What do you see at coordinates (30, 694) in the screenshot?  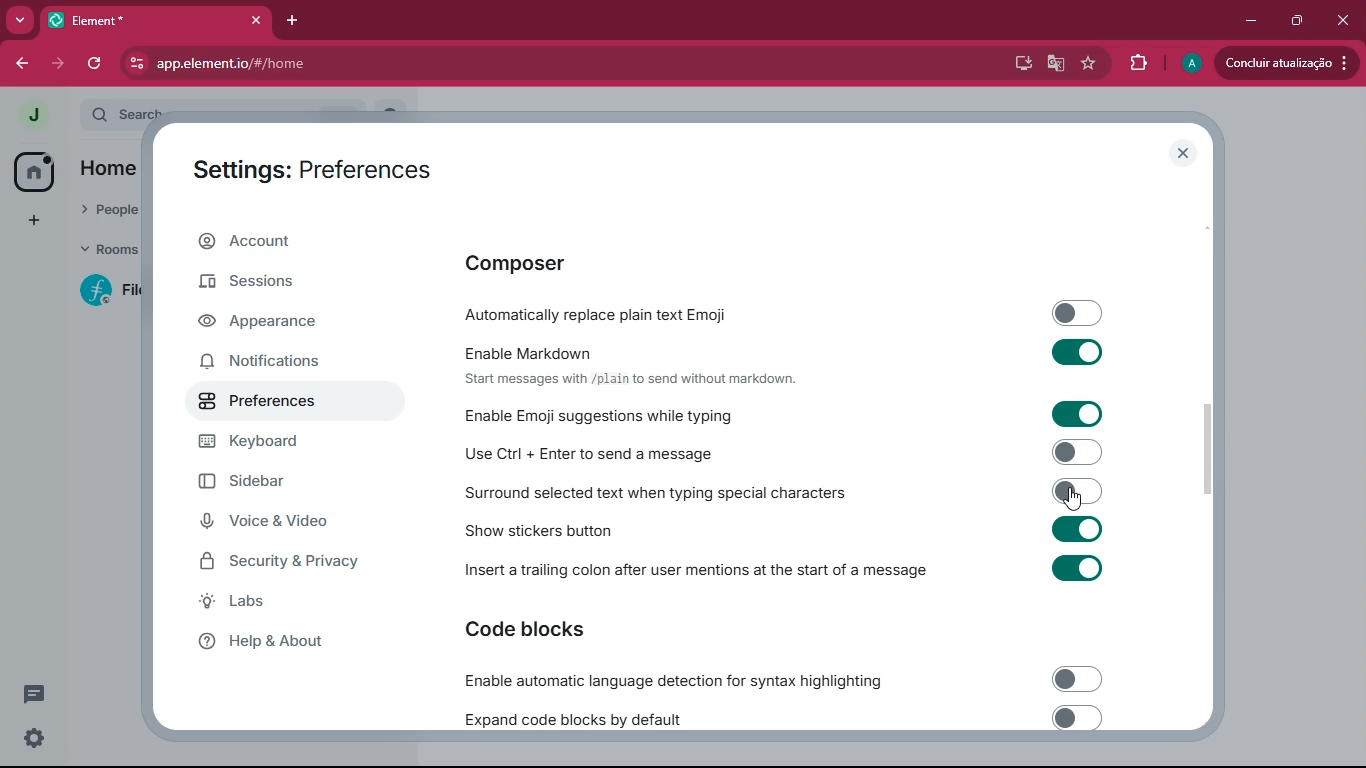 I see `conversation` at bounding box center [30, 694].